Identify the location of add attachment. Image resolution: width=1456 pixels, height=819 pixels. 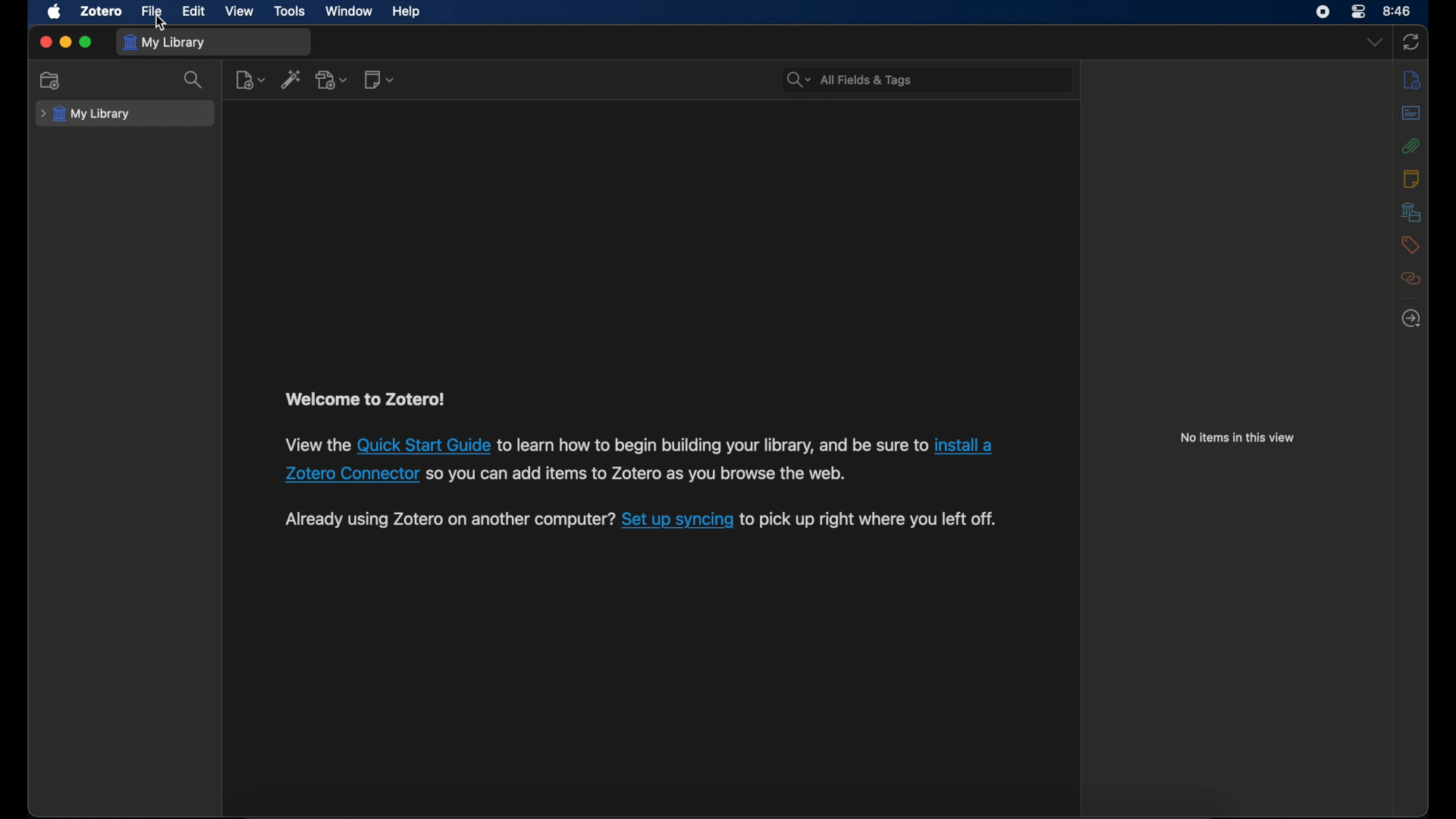
(333, 80).